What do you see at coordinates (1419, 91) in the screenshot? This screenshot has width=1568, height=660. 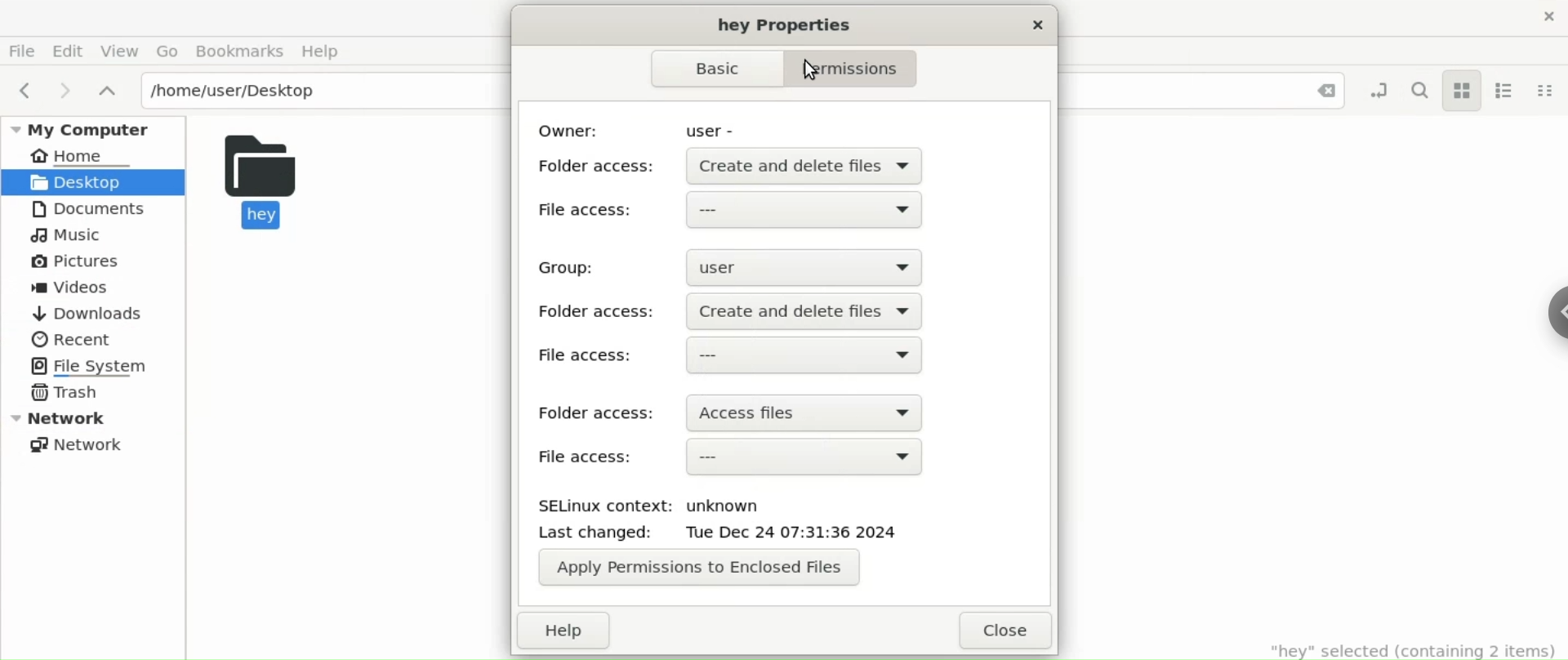 I see `search` at bounding box center [1419, 91].